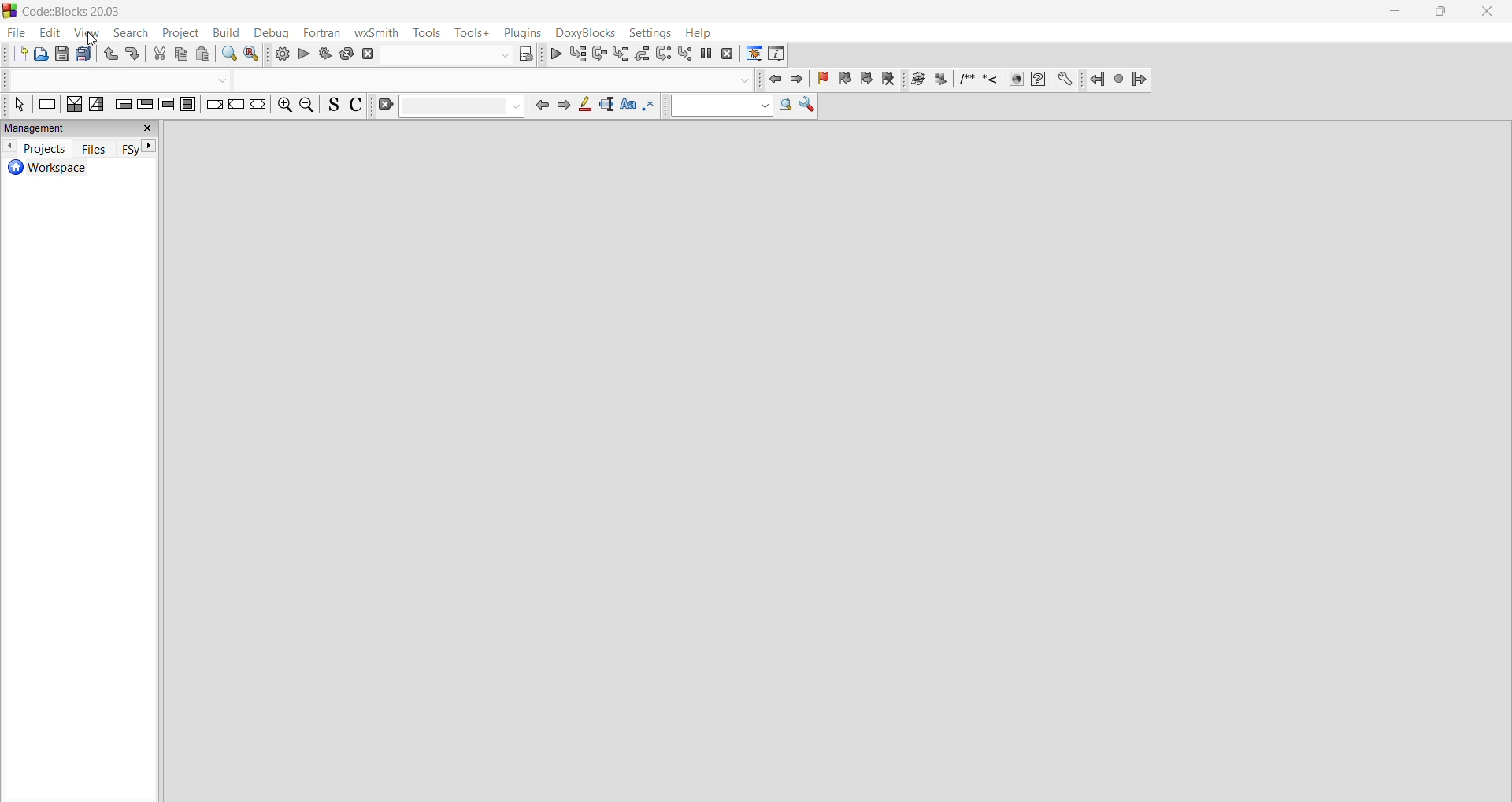  I want to click on paste, so click(204, 54).